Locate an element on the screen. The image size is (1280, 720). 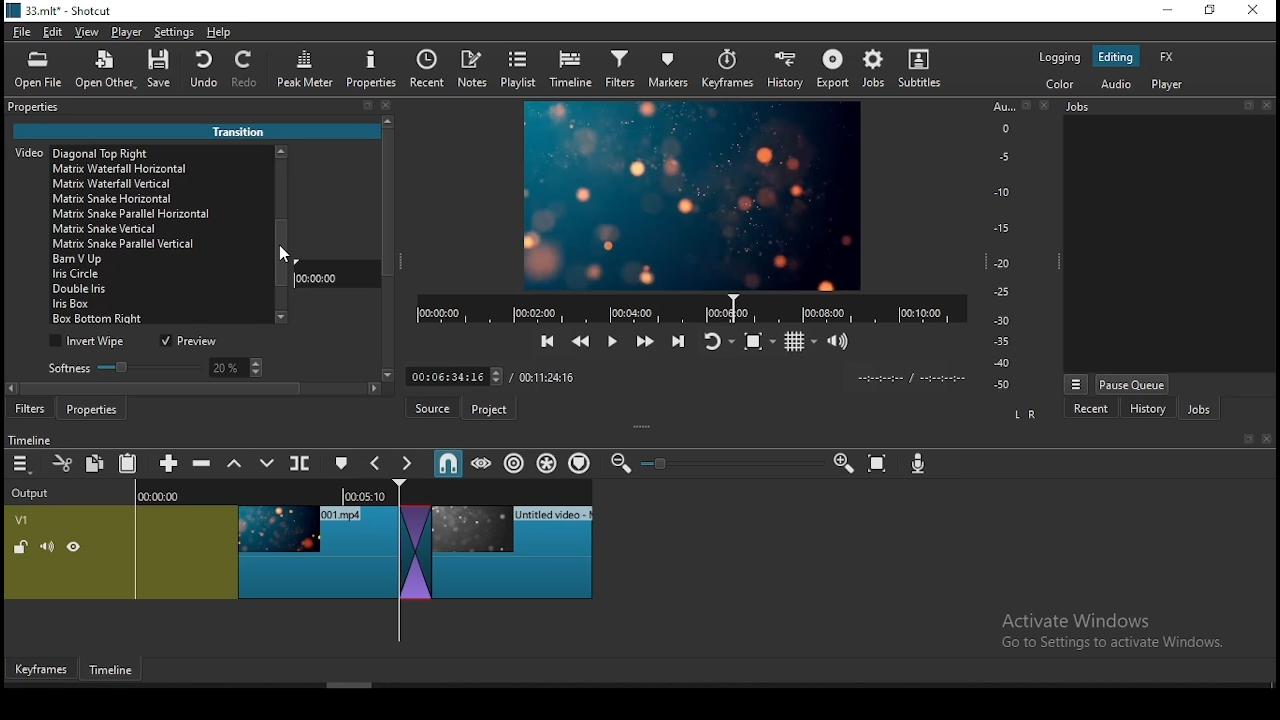
Activate windows is located at coordinates (1122, 630).